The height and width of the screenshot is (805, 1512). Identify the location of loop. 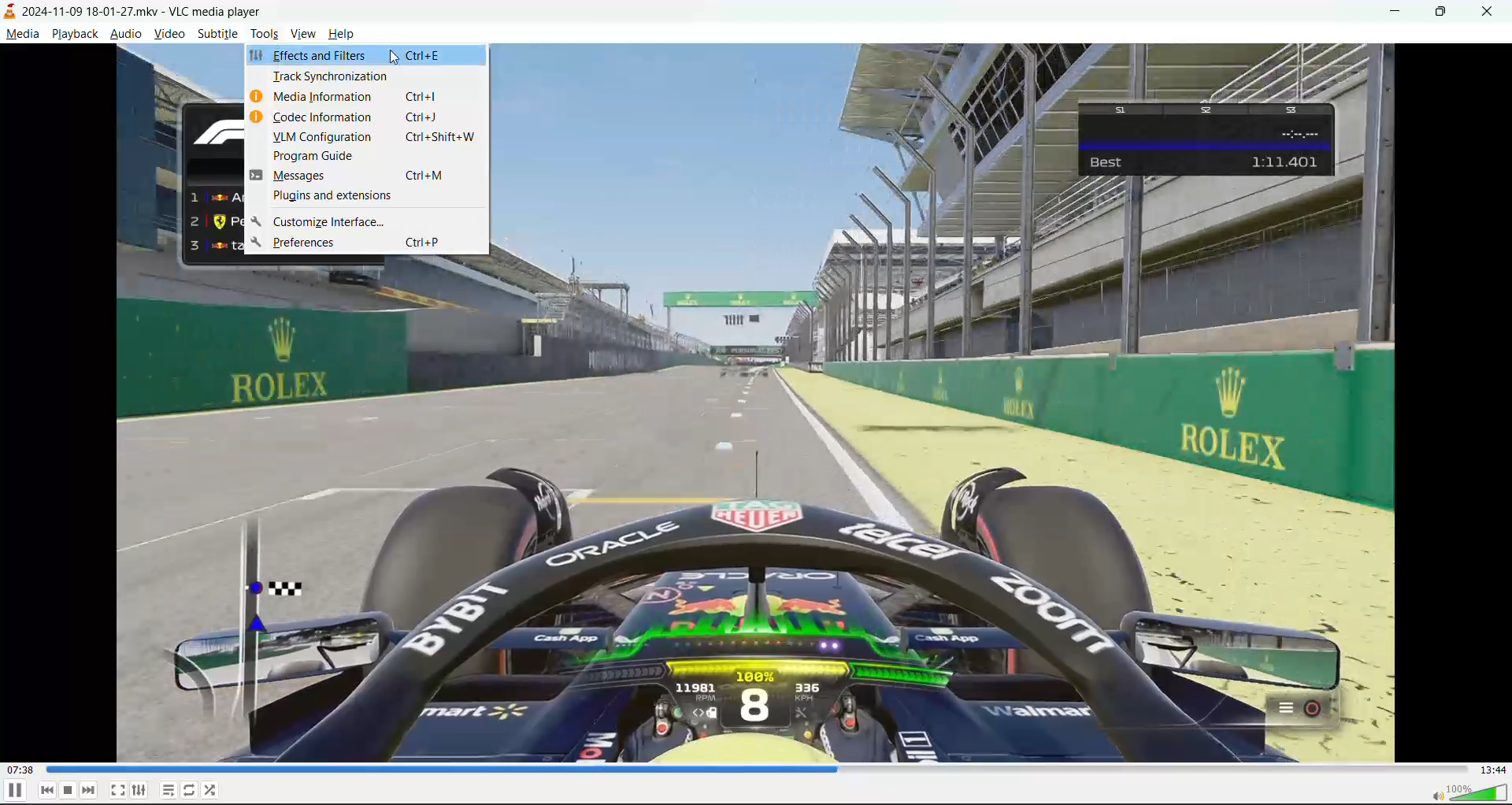
(188, 788).